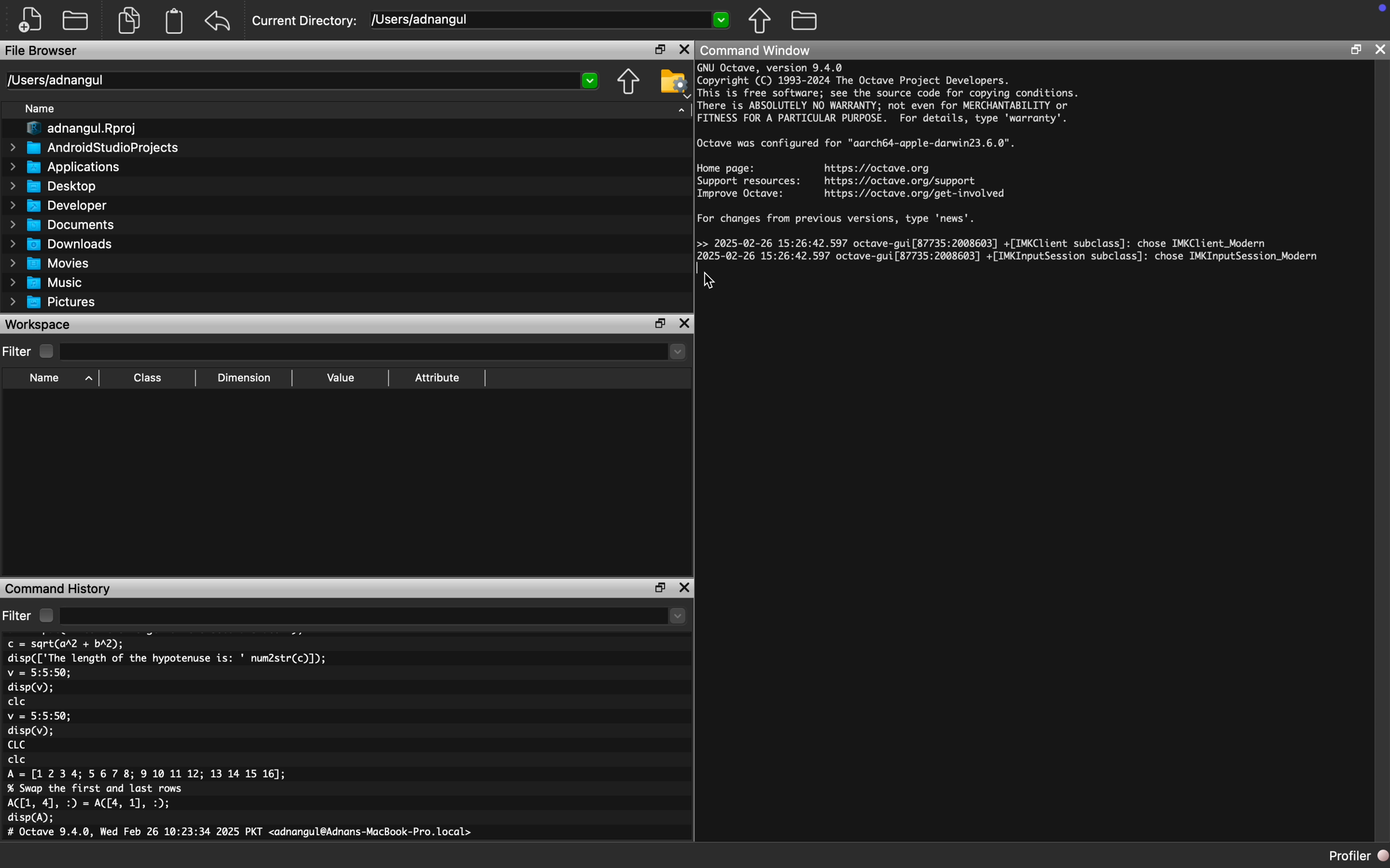 The height and width of the screenshot is (868, 1390). Describe the element at coordinates (1010, 253) in the screenshot. I see `>> 2025-02-26 15:26:42.597 octave-gui[87735:2008603] +[IMKClient subclass]: chose IMKClient_Modern
RDRZZE 15:26:42.597 octave-gui[87735:2008603] +[IMKInputSession subclass]: chose IMKInputSession_Modern` at that location.